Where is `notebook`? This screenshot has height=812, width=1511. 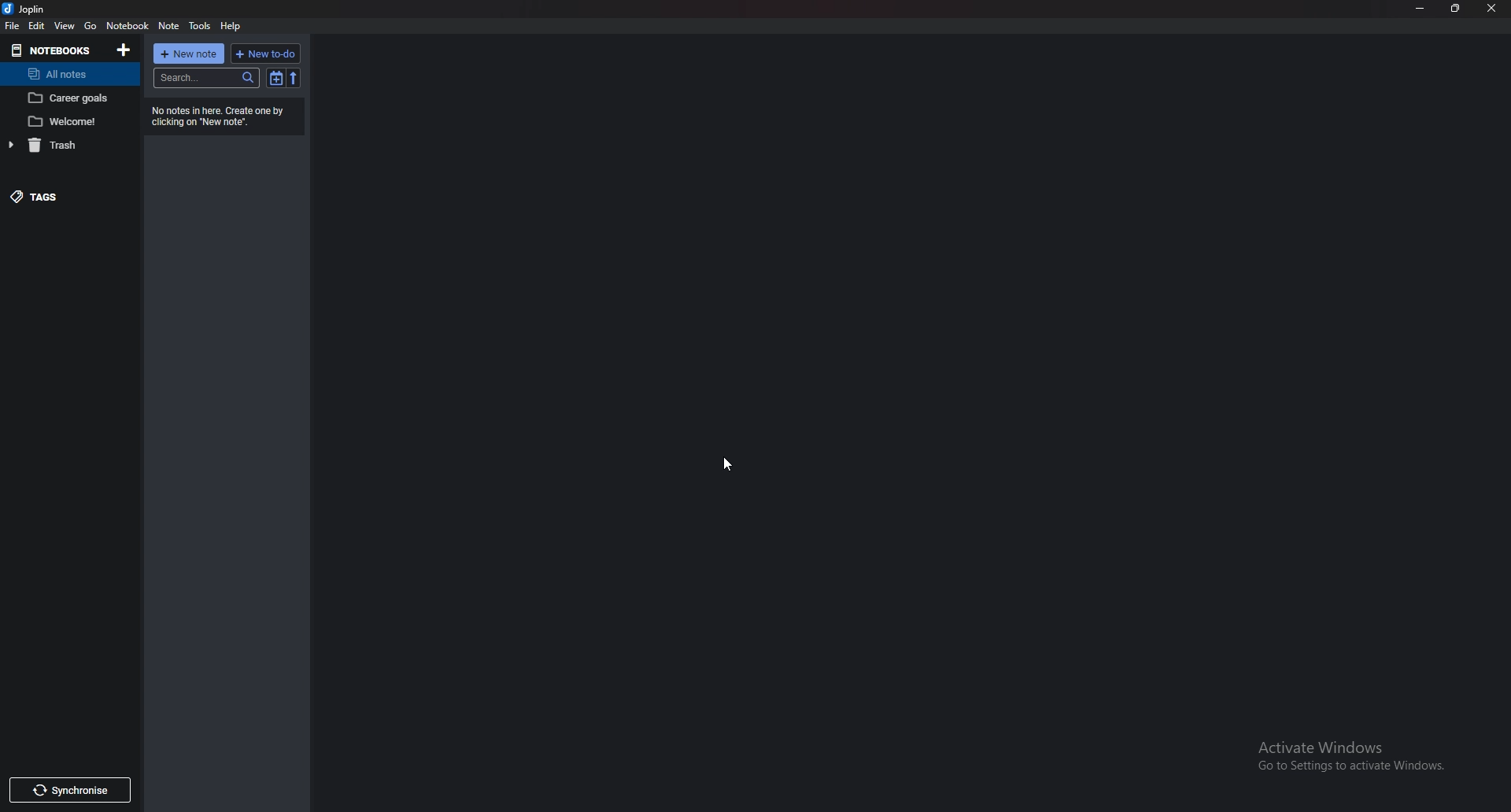
notebook is located at coordinates (127, 26).